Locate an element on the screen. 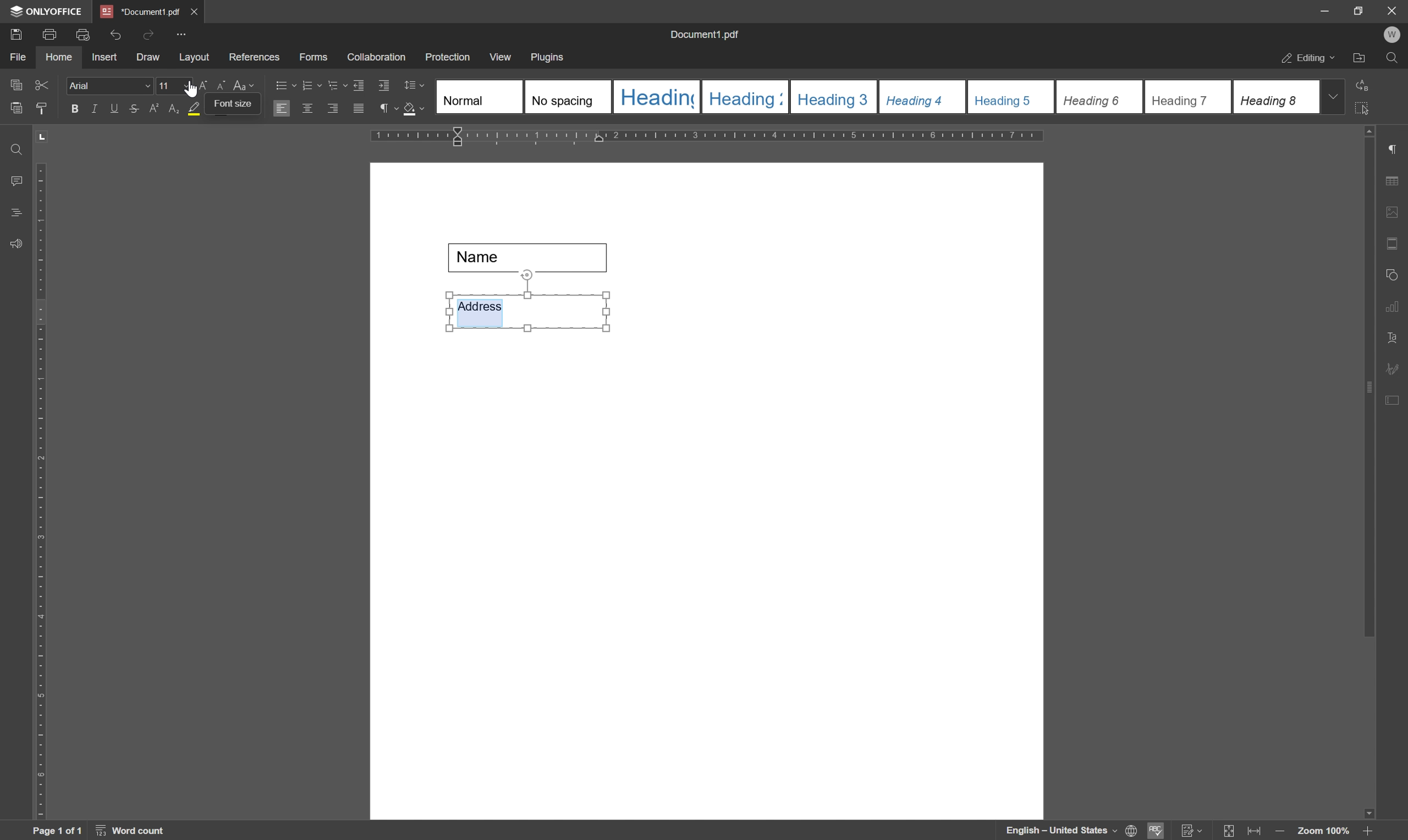  headings is located at coordinates (12, 213).